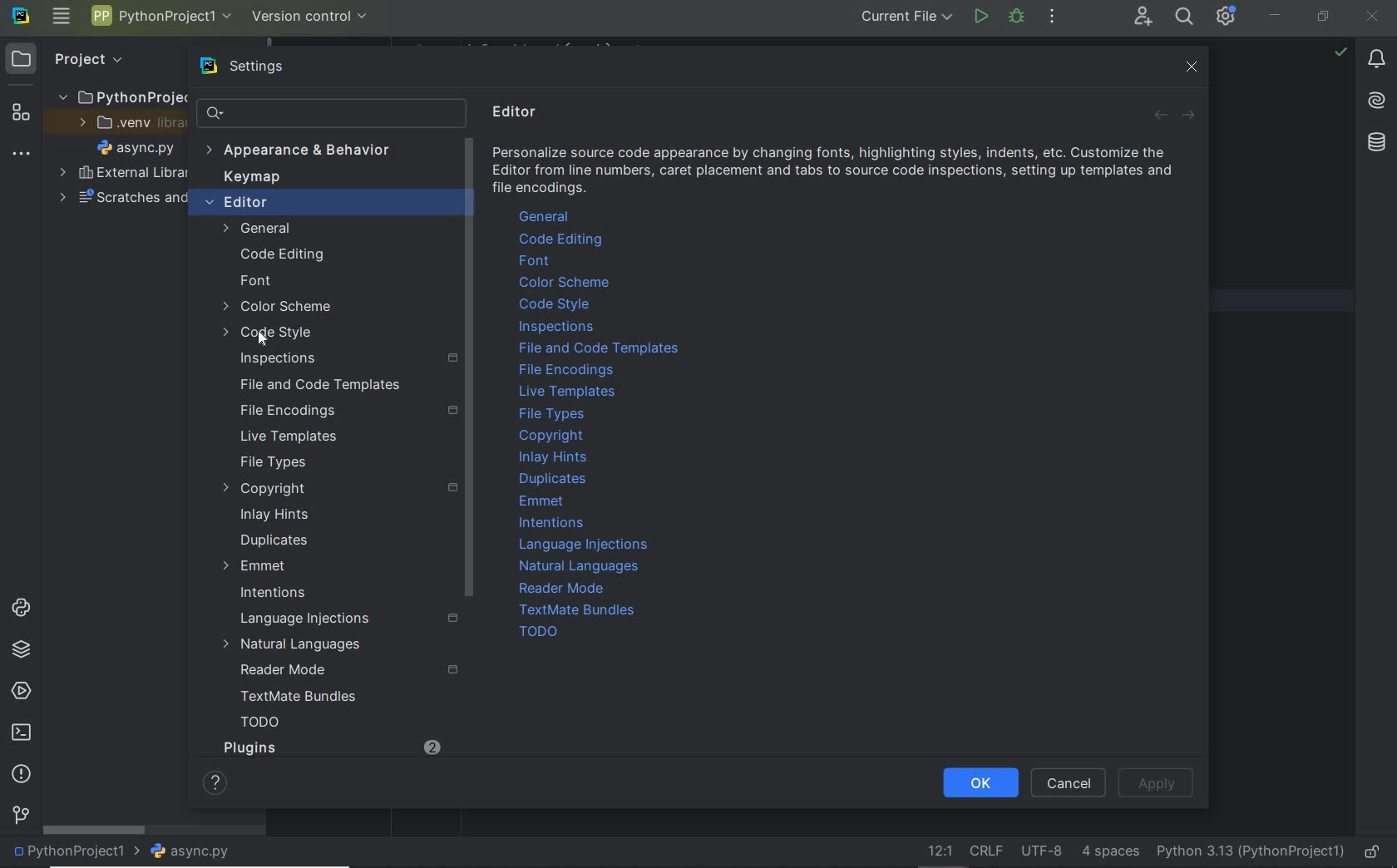 This screenshot has height=868, width=1397. What do you see at coordinates (275, 540) in the screenshot?
I see `duplicates` at bounding box center [275, 540].